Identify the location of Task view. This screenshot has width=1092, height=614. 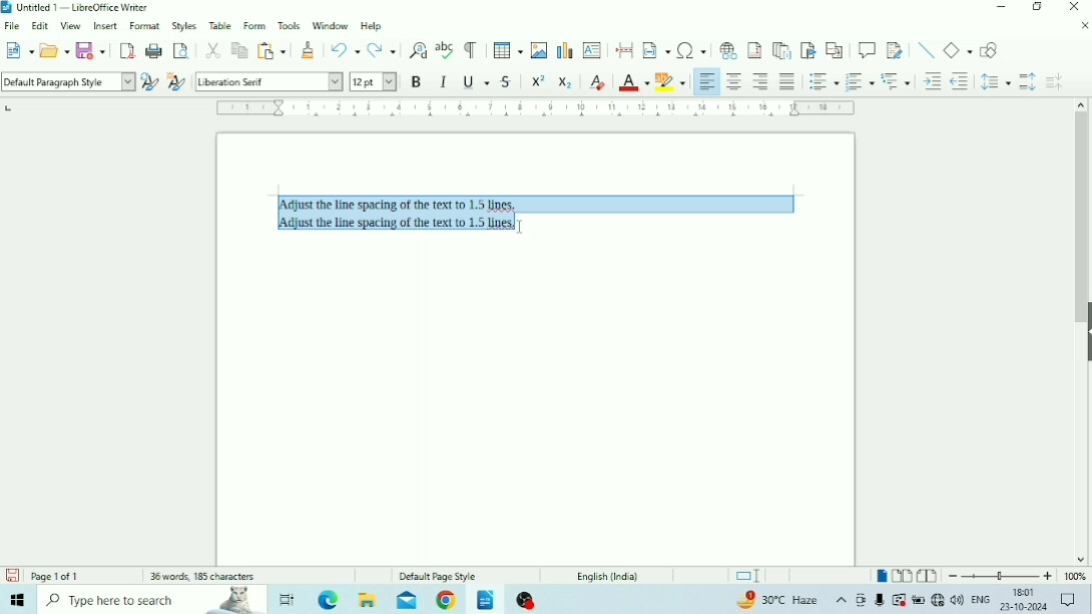
(287, 599).